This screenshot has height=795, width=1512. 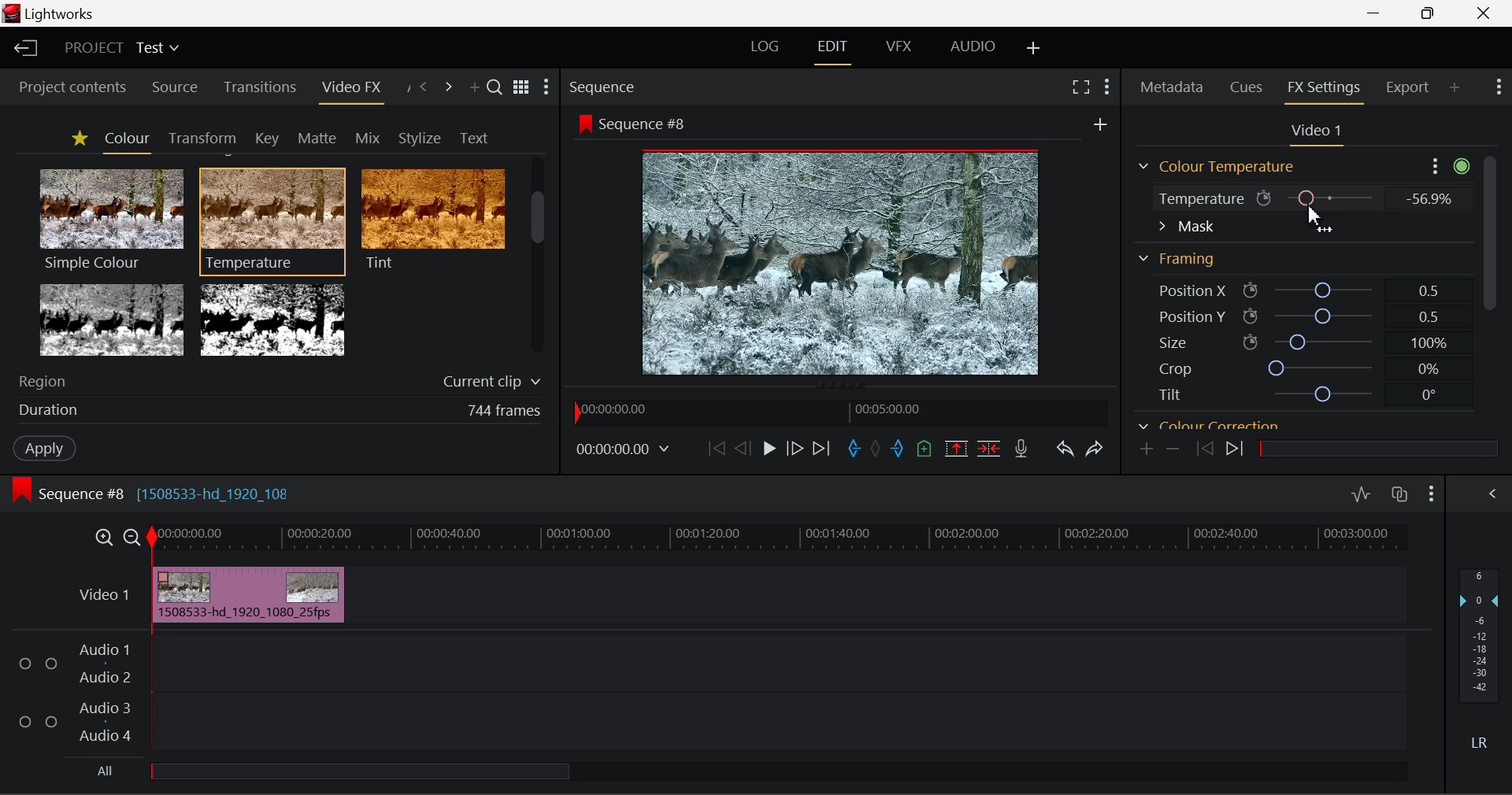 I want to click on Record Voiceover, so click(x=1021, y=447).